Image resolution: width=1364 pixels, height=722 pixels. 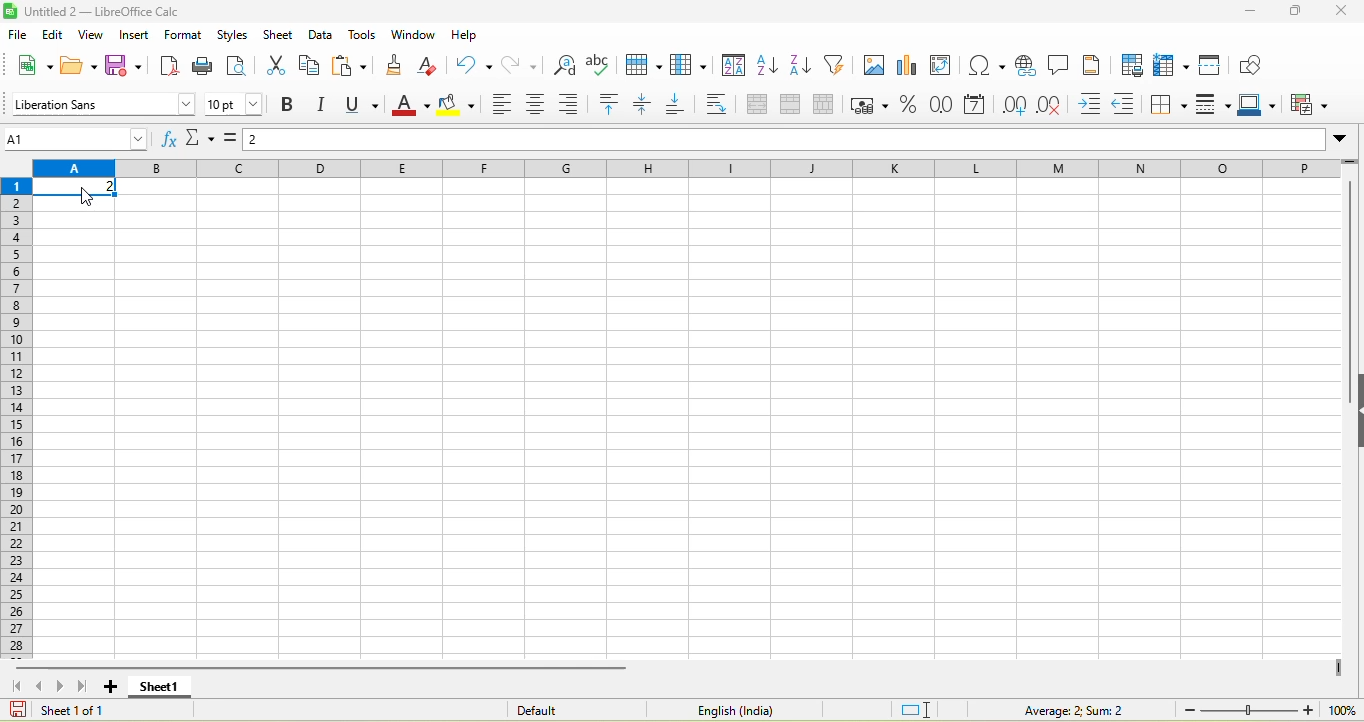 What do you see at coordinates (64, 685) in the screenshot?
I see `scroll to next sheet` at bounding box center [64, 685].